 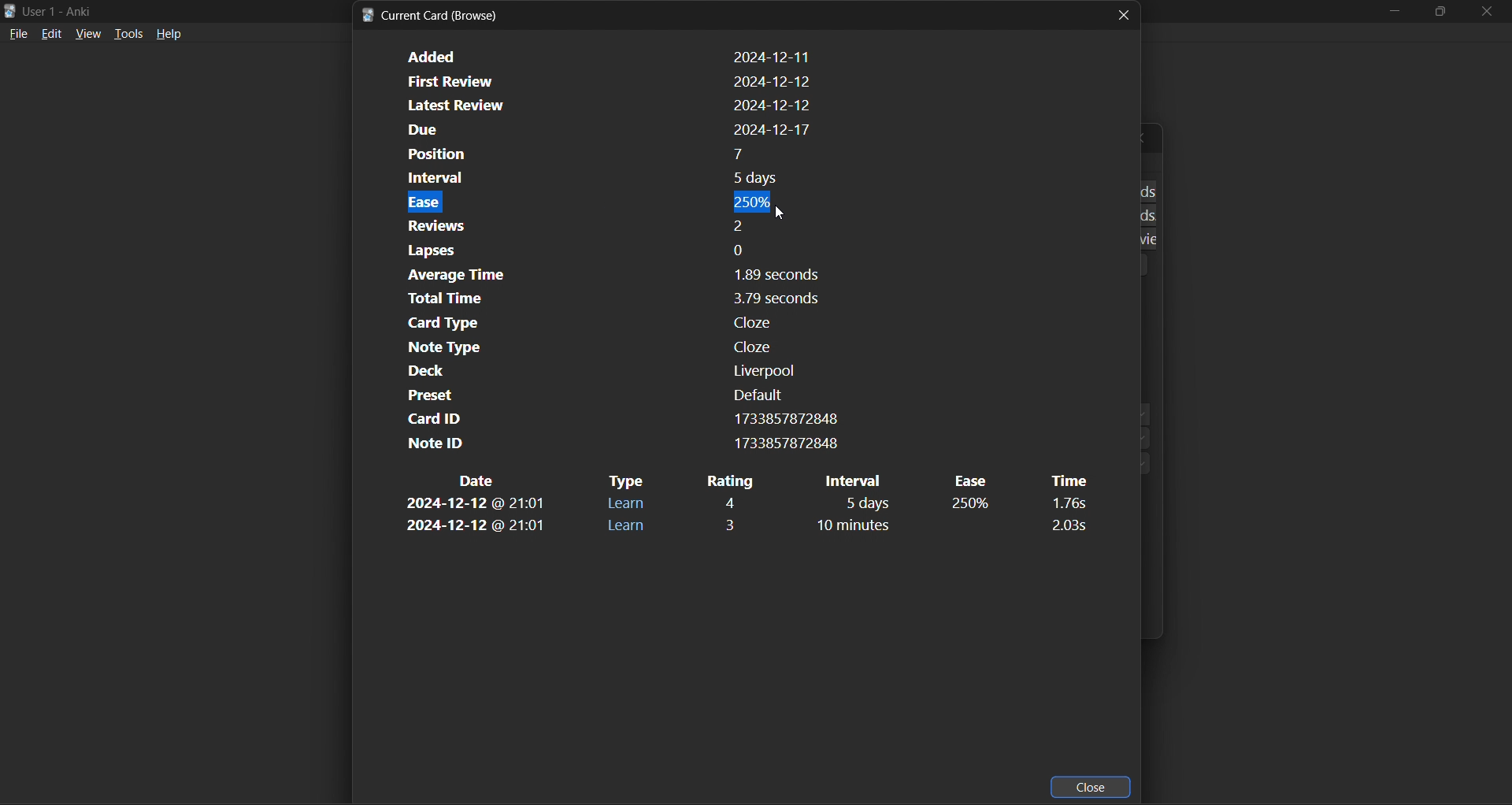 What do you see at coordinates (70, 11) in the screenshot?
I see `title bar` at bounding box center [70, 11].